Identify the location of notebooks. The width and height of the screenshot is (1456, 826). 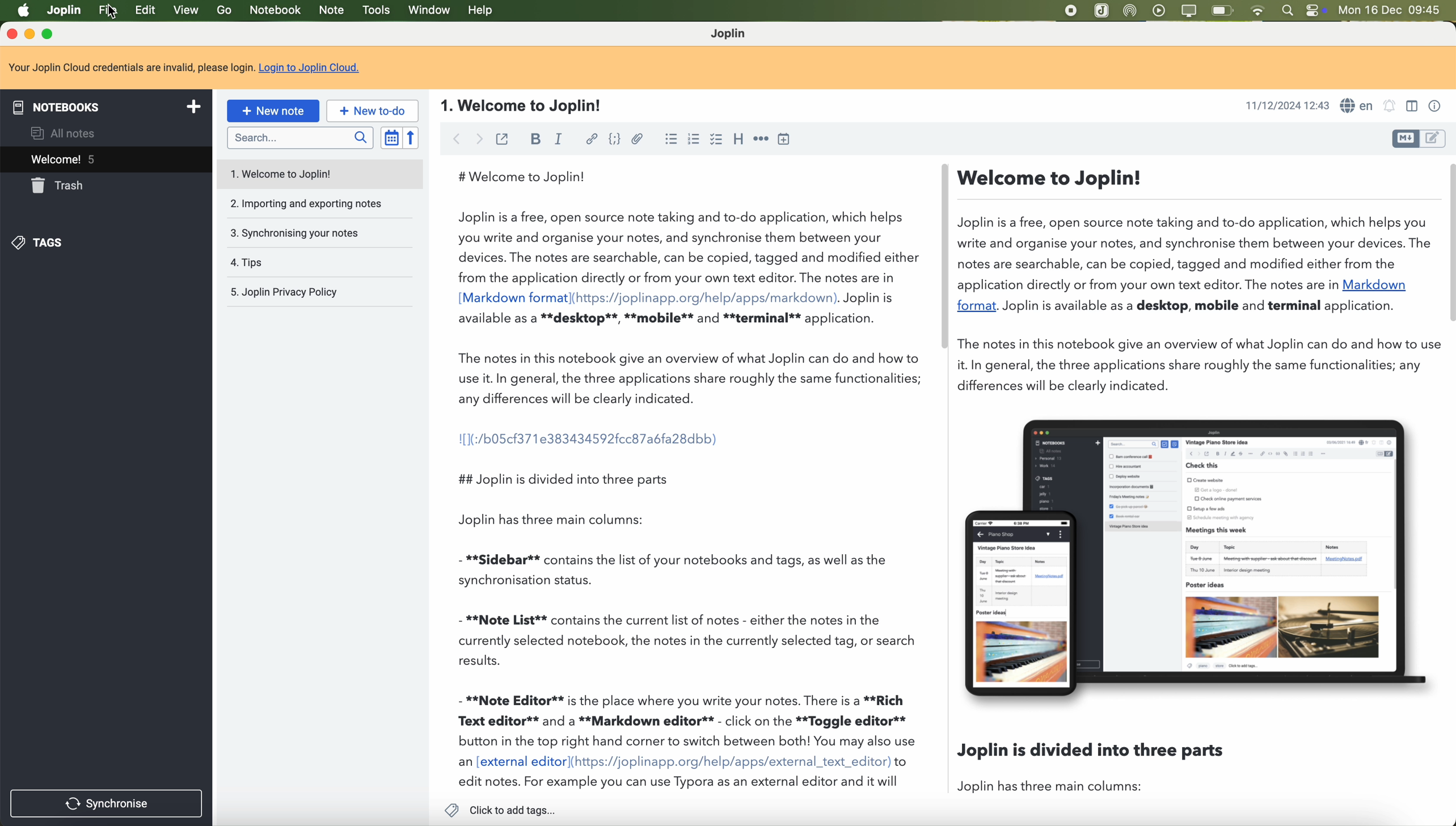
(105, 106).